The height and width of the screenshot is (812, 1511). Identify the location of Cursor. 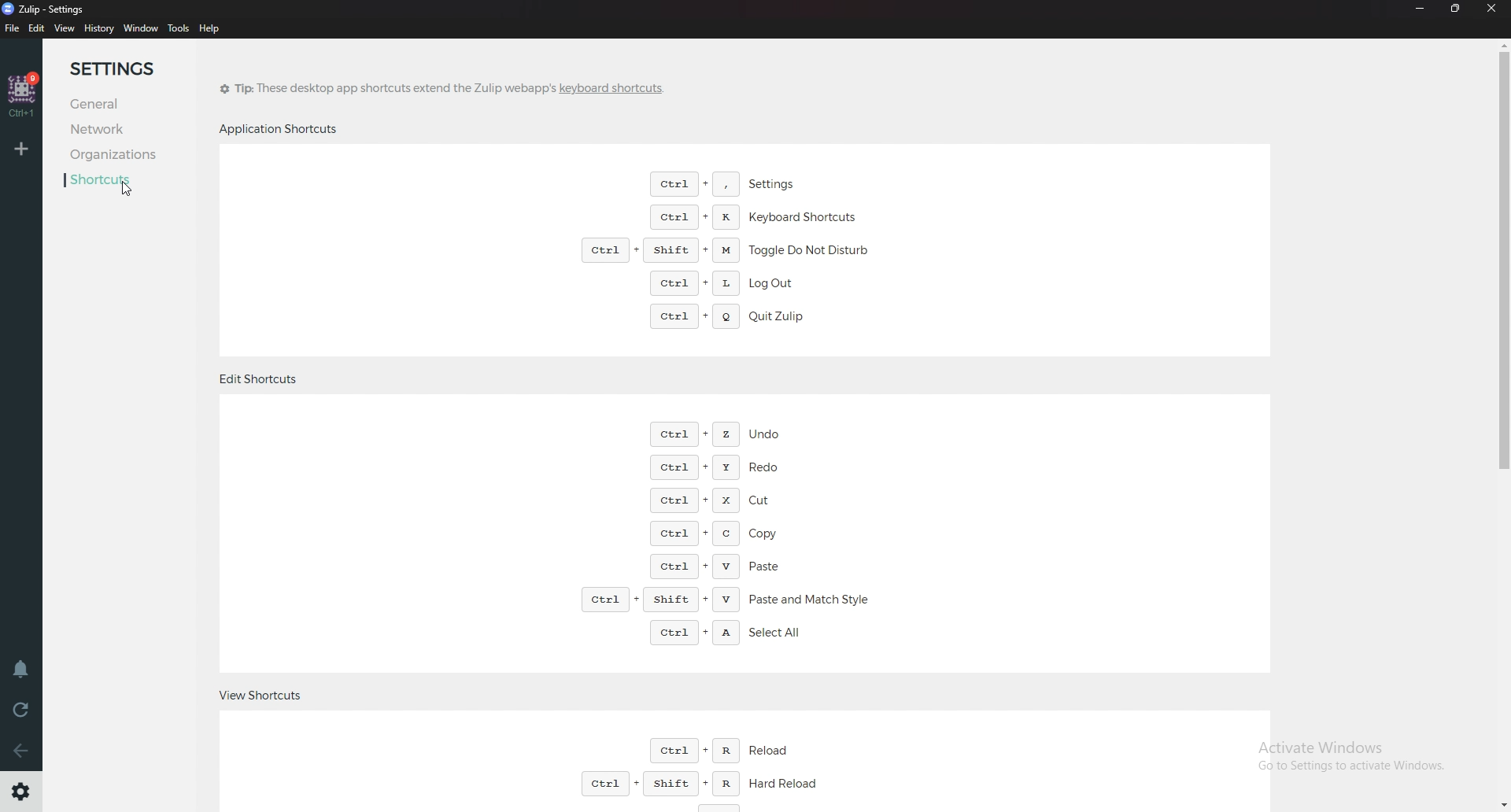
(124, 193).